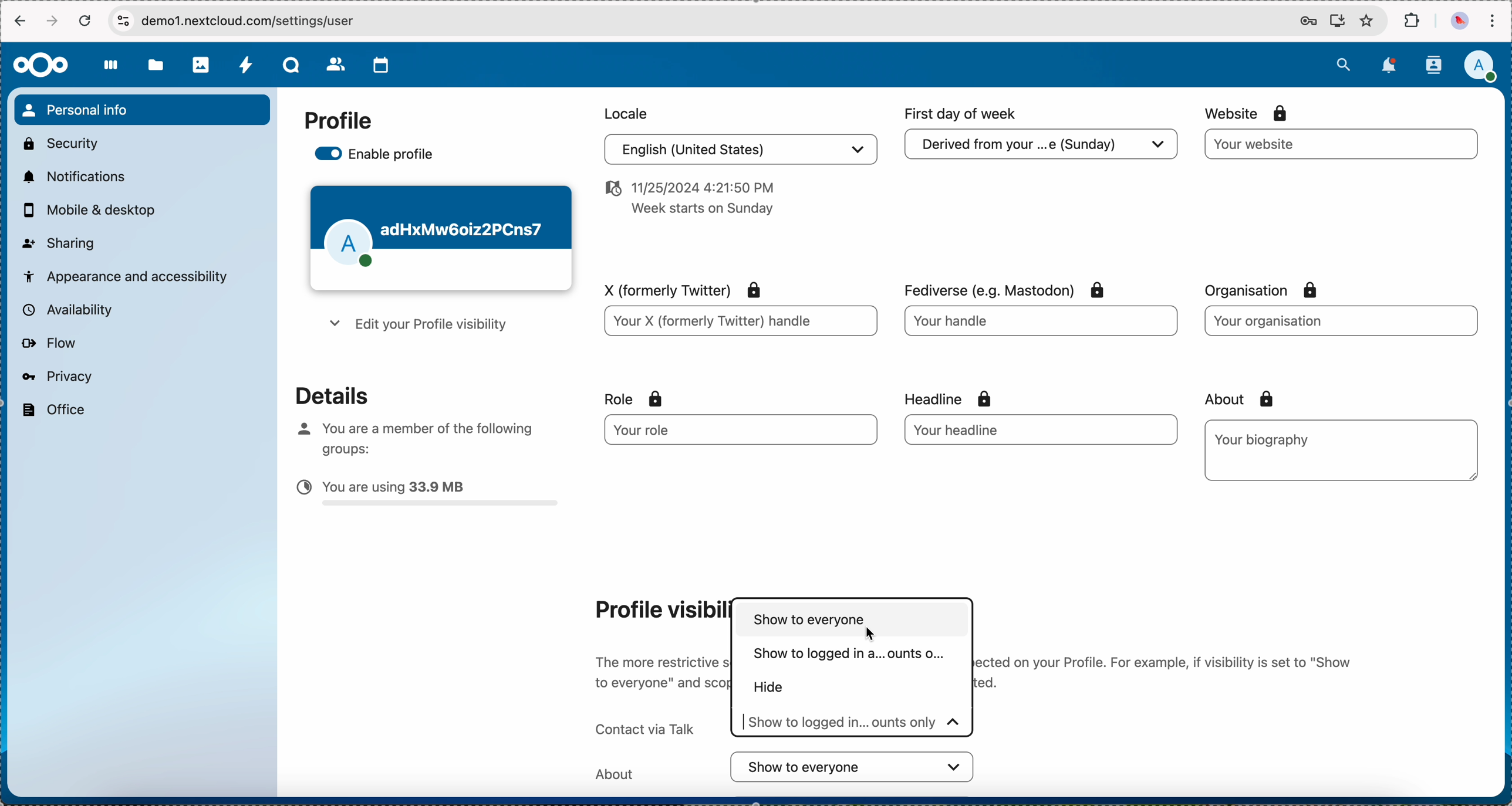 The width and height of the screenshot is (1512, 806). I want to click on contacts, so click(336, 66).